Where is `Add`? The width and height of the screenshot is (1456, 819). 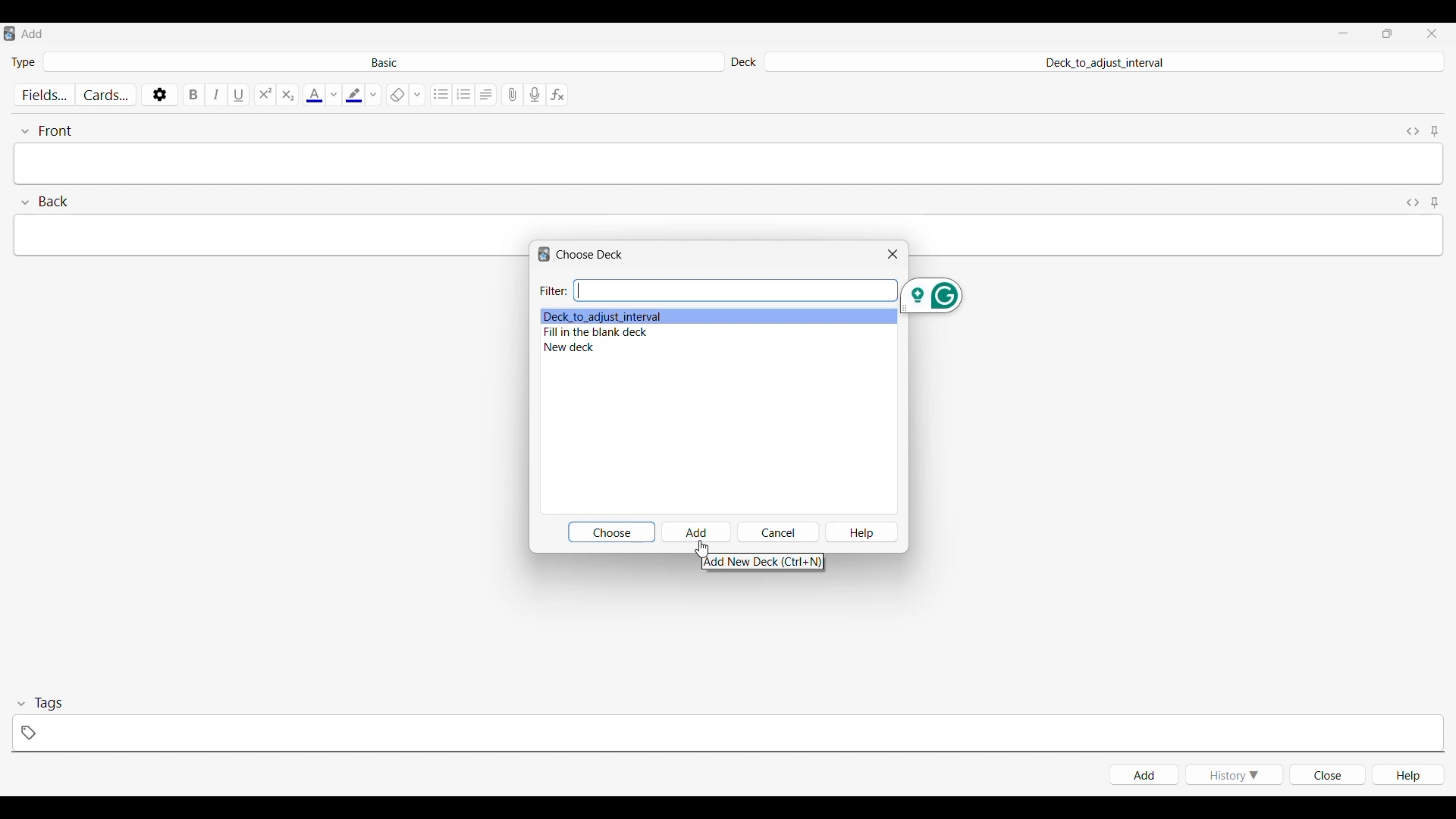 Add is located at coordinates (697, 532).